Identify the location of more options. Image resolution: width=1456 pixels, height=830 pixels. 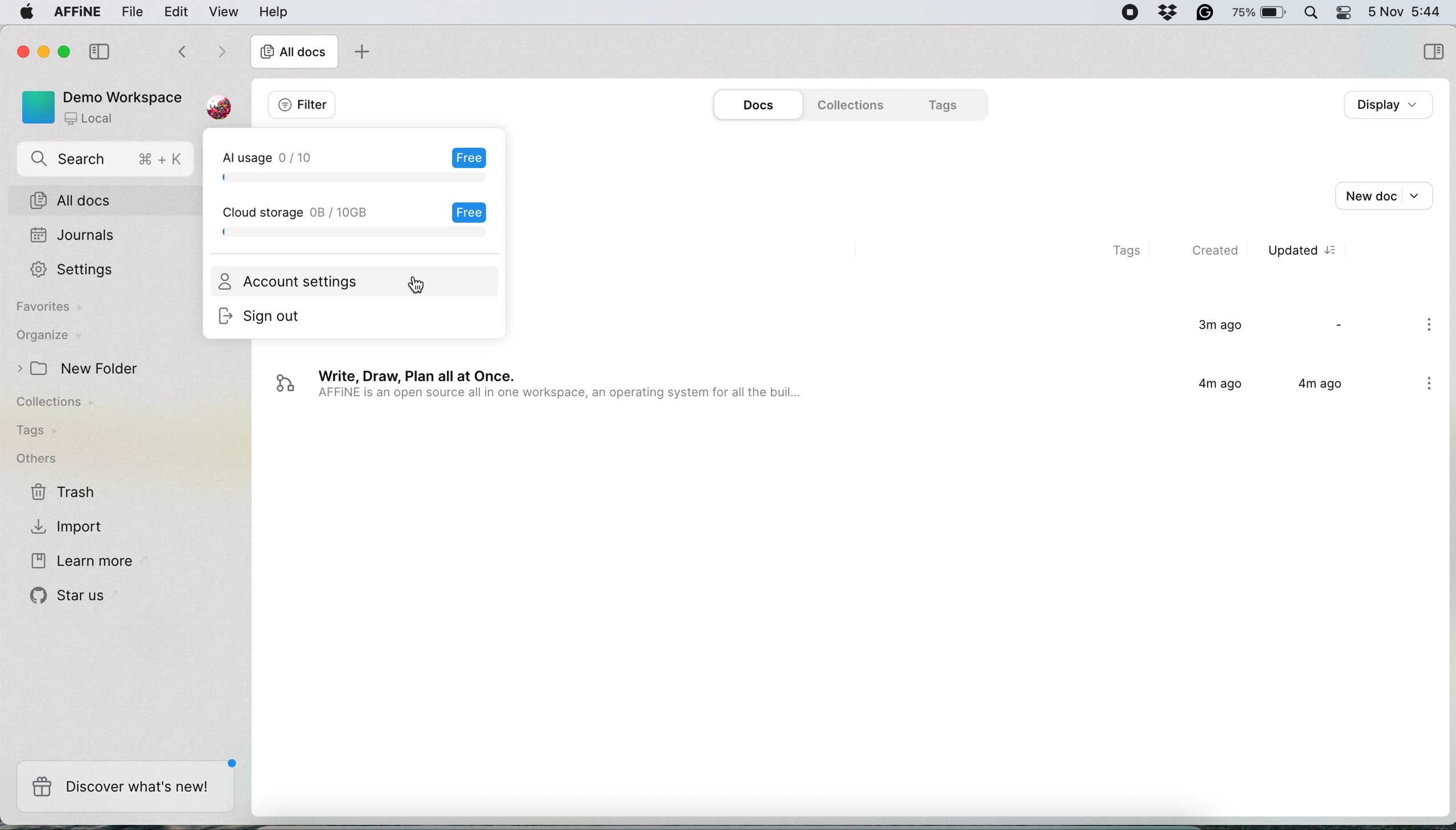
(1431, 385).